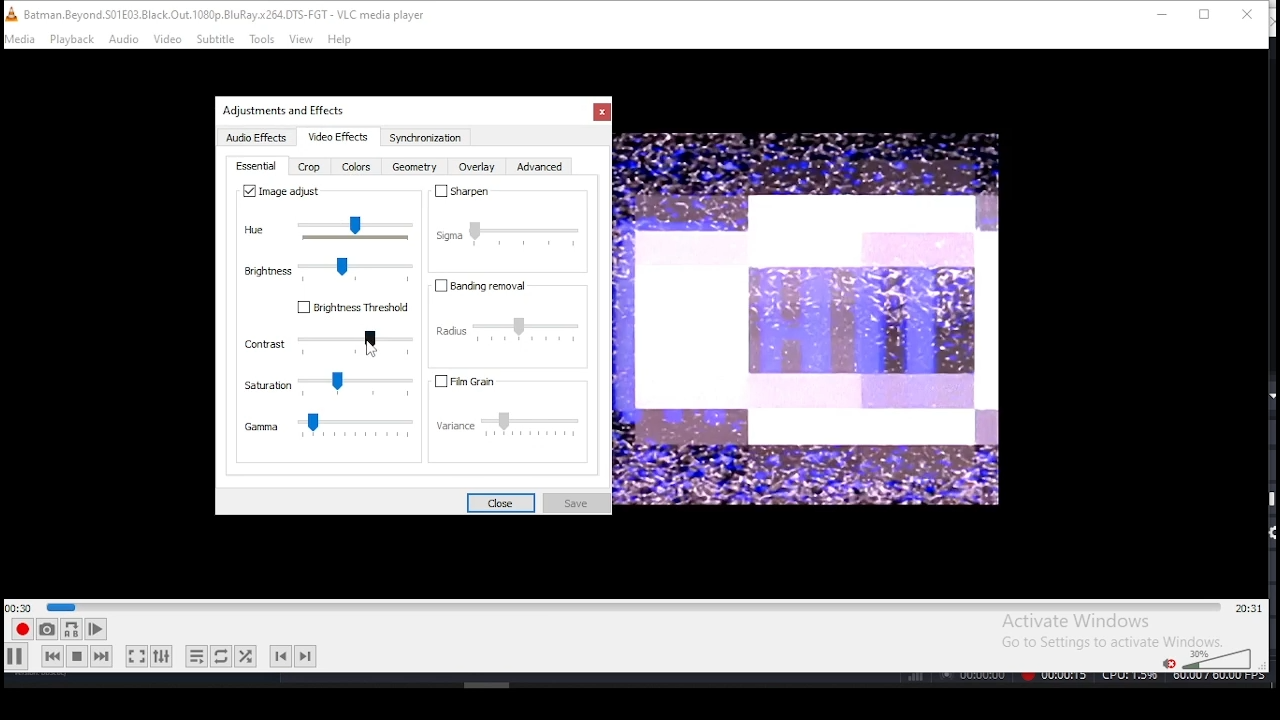 This screenshot has width=1280, height=720. Describe the element at coordinates (216, 40) in the screenshot. I see `subtitle` at that location.